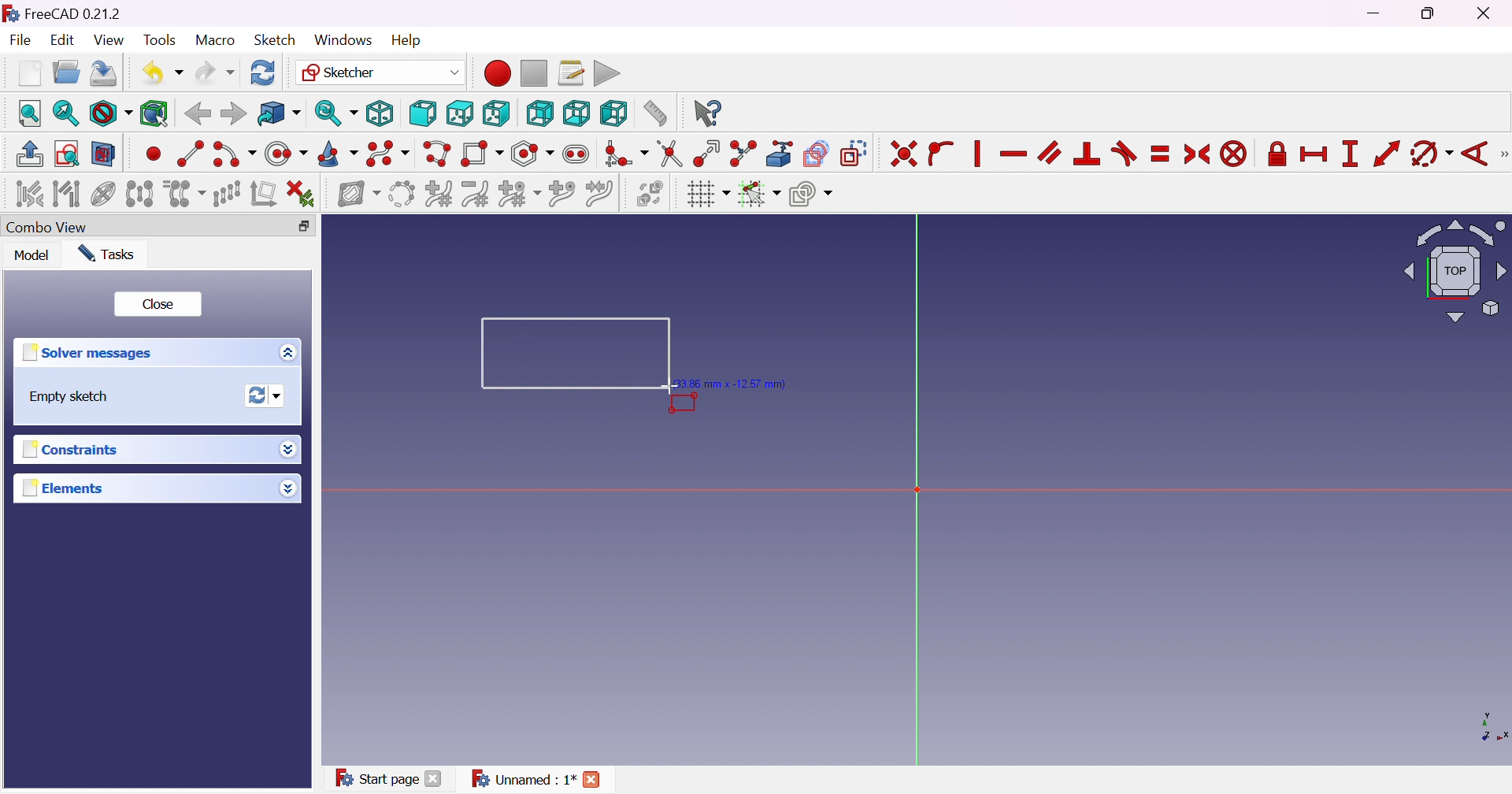  What do you see at coordinates (561, 193) in the screenshot?
I see `Insert knot` at bounding box center [561, 193].